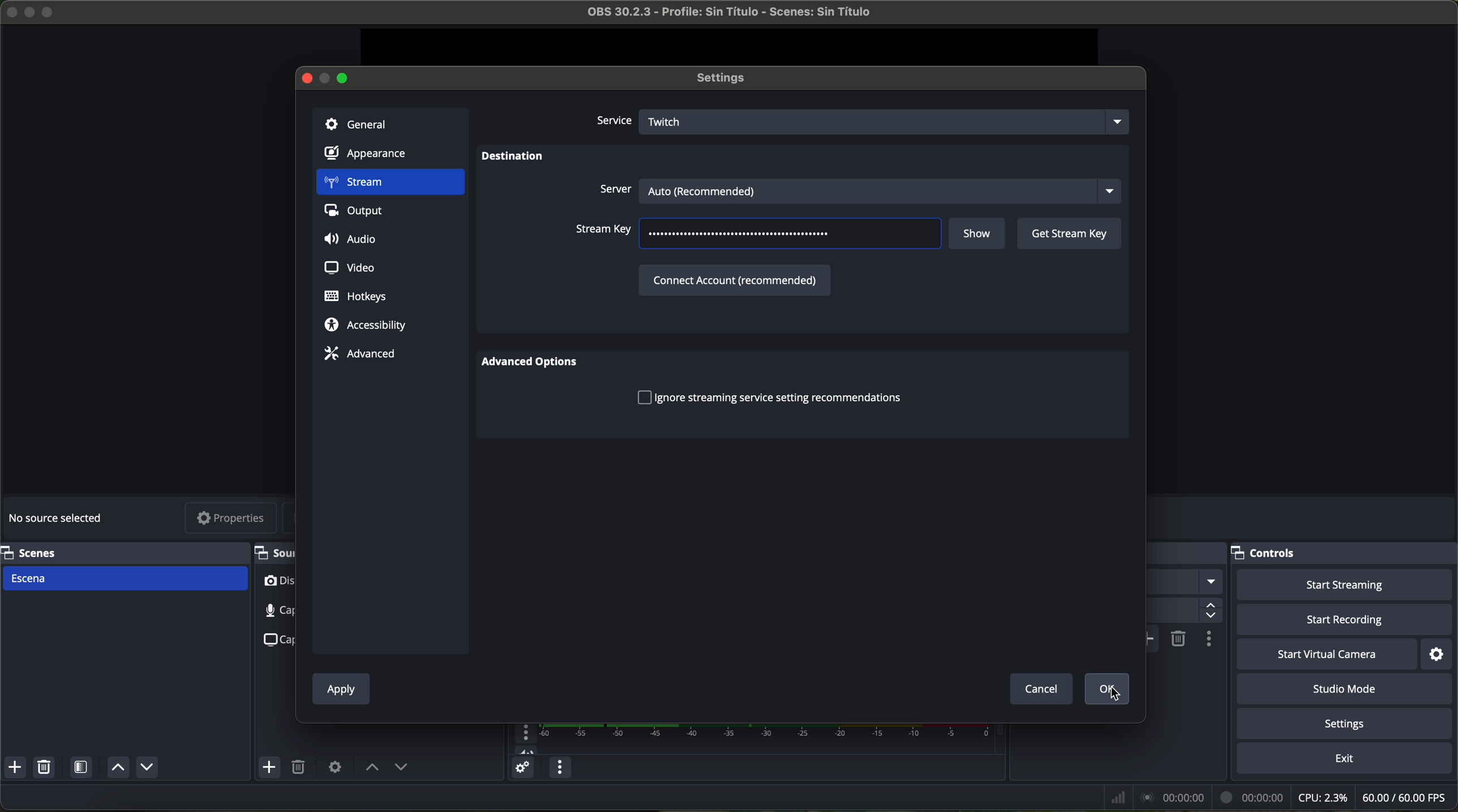 This screenshot has width=1458, height=812. Describe the element at coordinates (603, 233) in the screenshot. I see `stream key` at that location.